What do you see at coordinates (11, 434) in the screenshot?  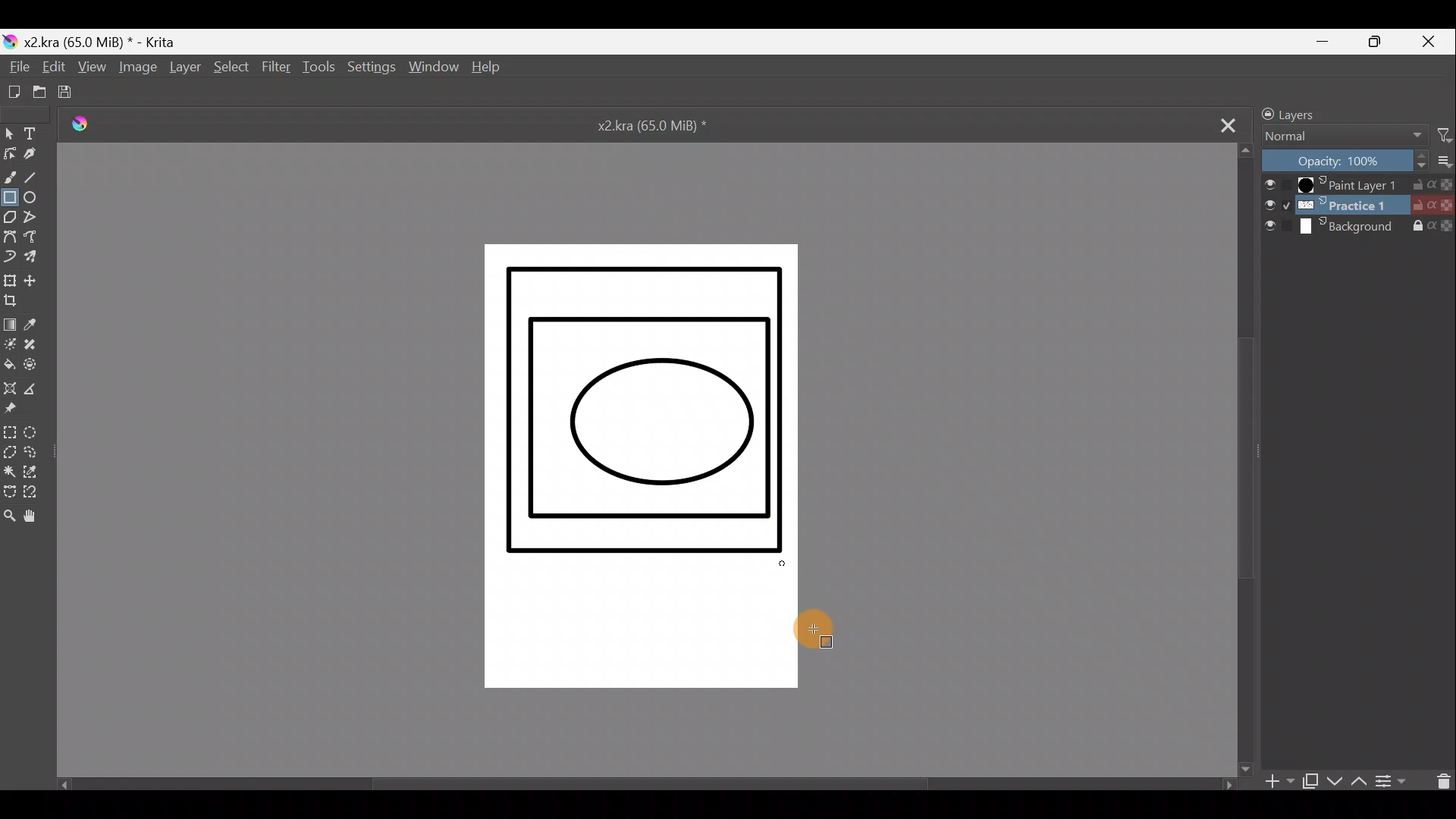 I see `Rectangular selection tool` at bounding box center [11, 434].